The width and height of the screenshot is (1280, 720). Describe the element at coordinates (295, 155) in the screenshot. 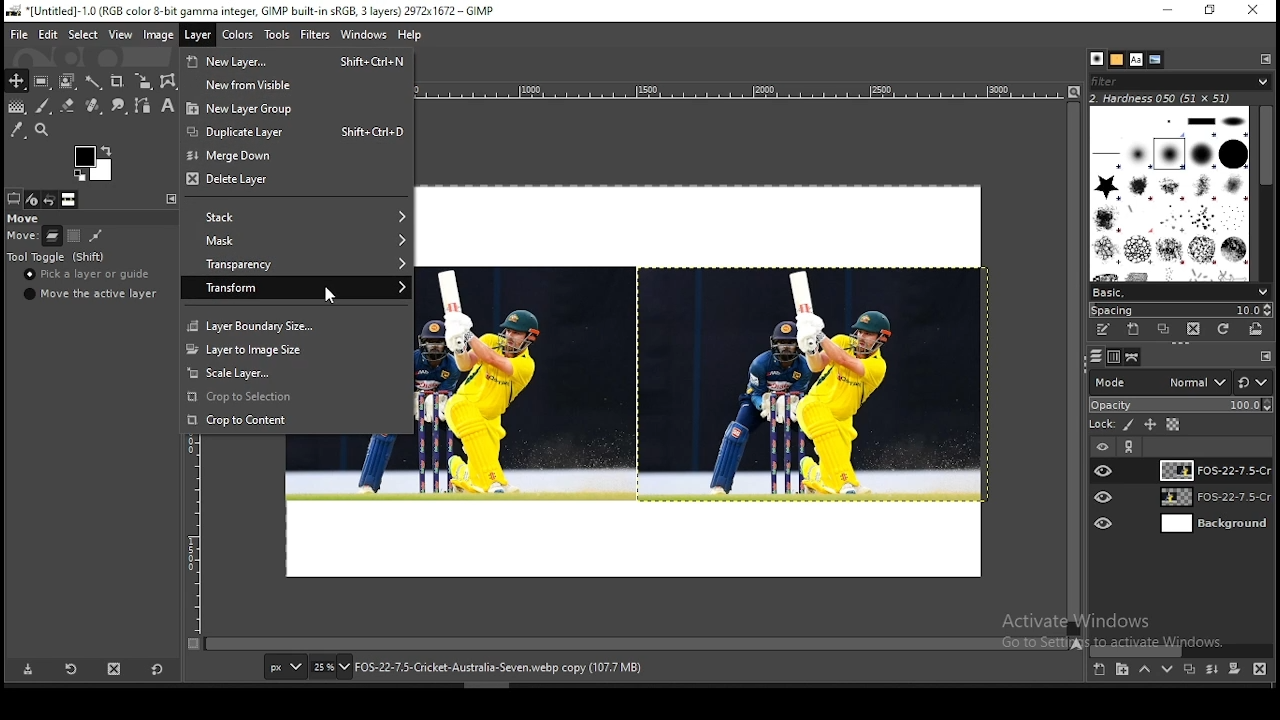

I see `merge down` at that location.